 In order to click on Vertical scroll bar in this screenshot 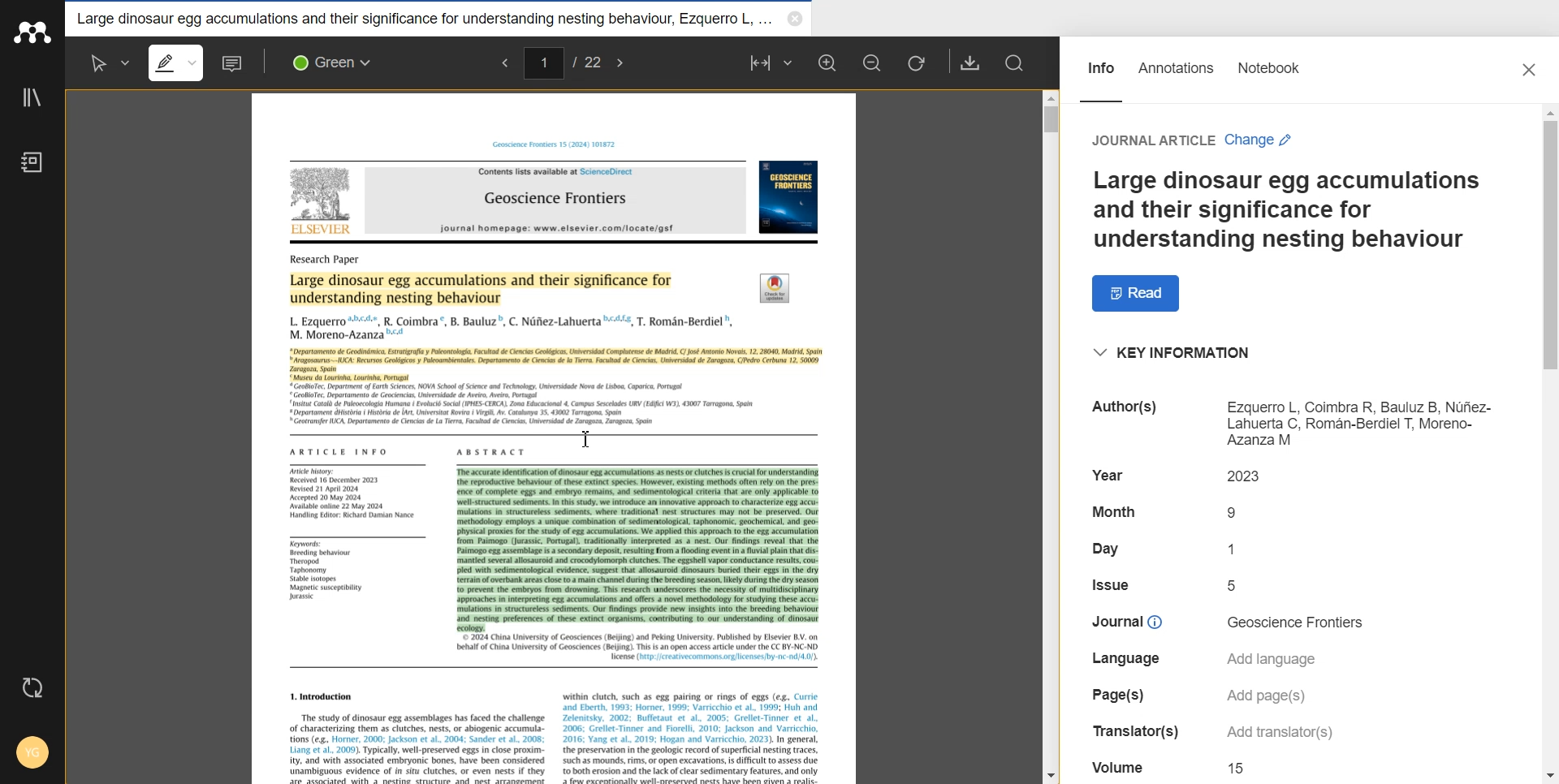, I will do `click(1053, 432)`.